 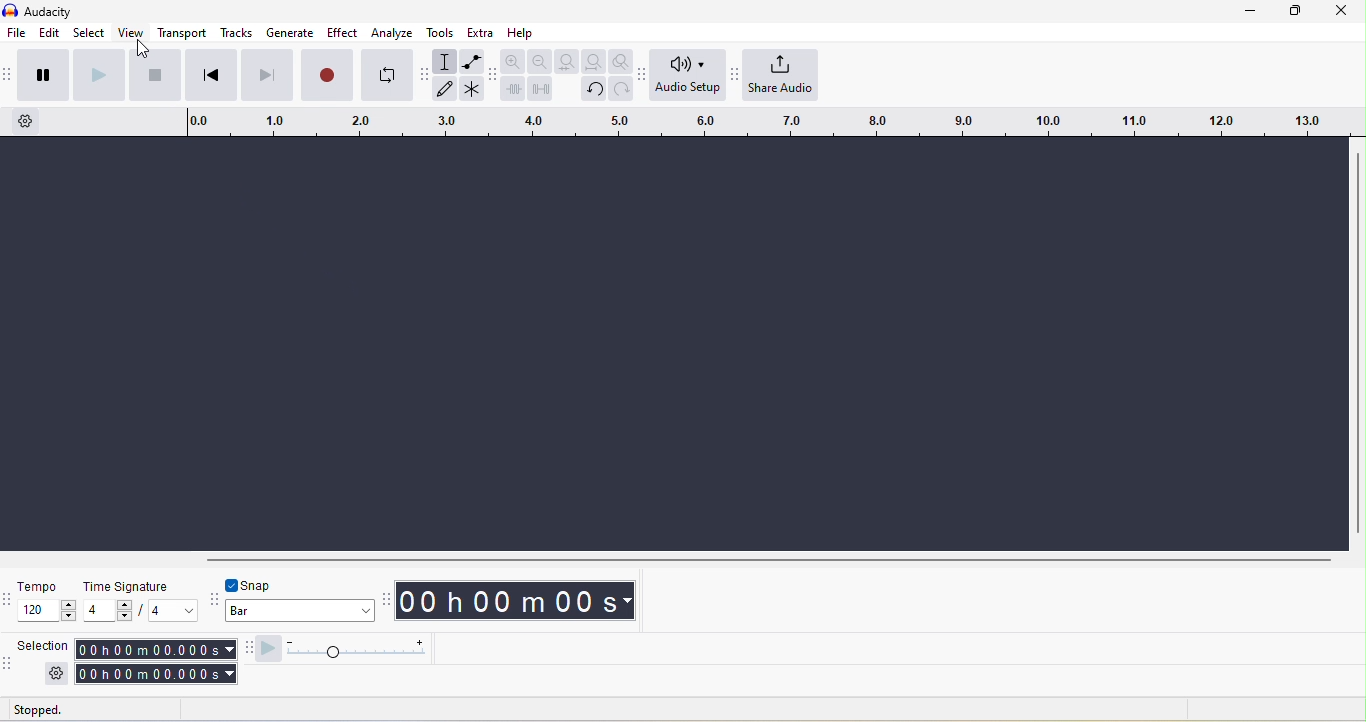 I want to click on timeline settings, so click(x=26, y=121).